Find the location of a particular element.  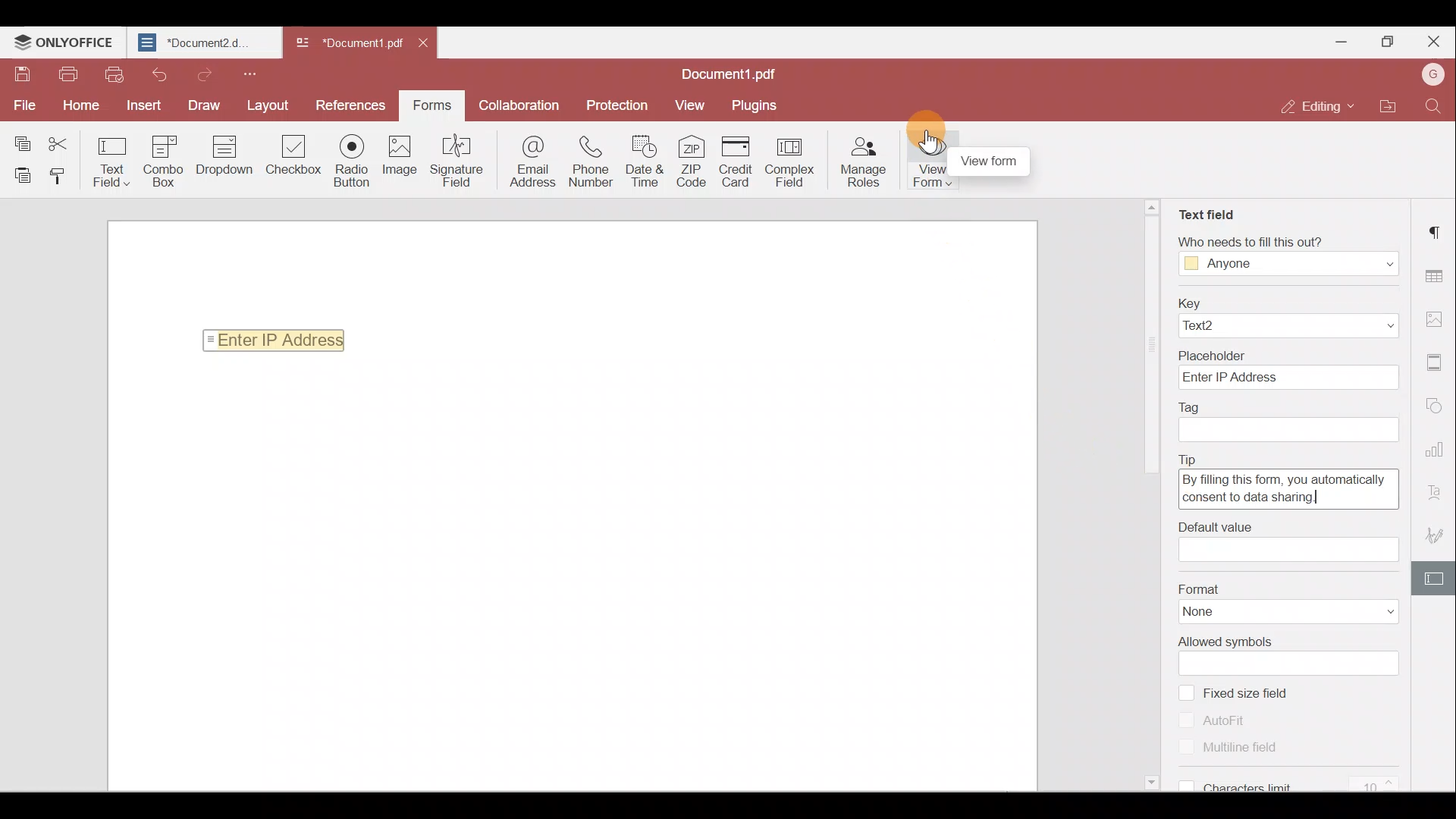

Scroll bar is located at coordinates (1153, 498).